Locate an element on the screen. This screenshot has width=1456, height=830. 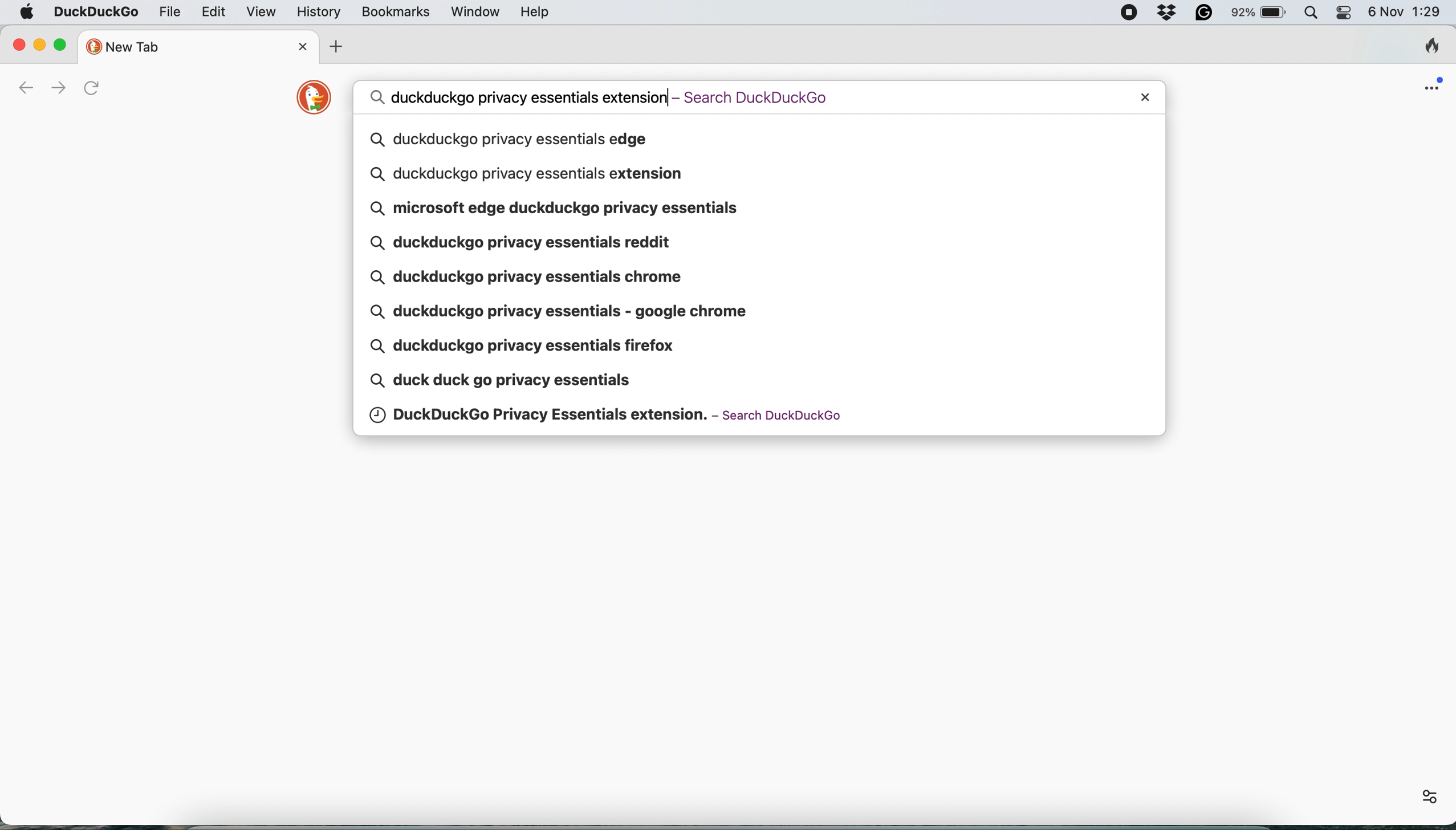
spotlight search is located at coordinates (1312, 12).